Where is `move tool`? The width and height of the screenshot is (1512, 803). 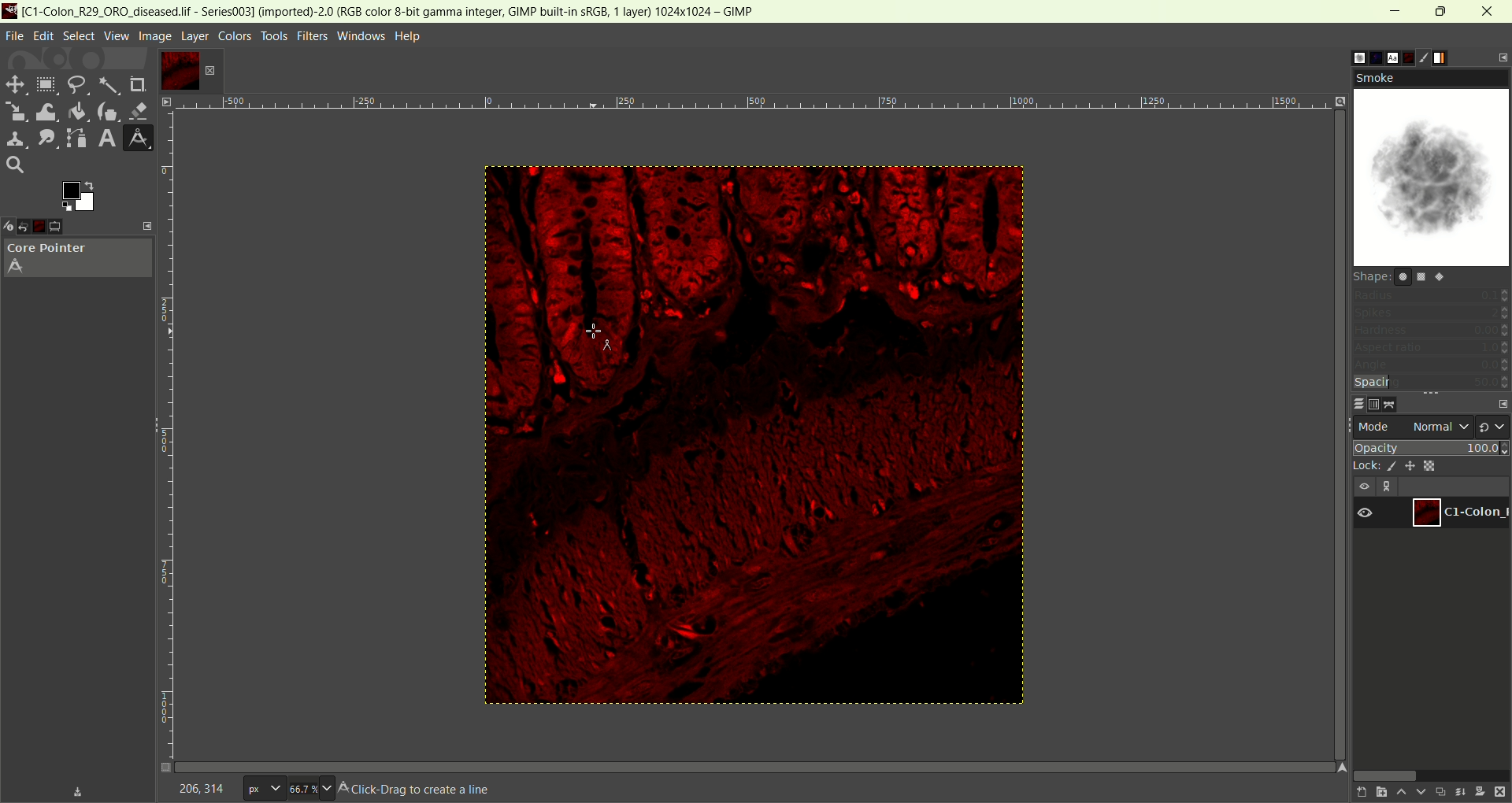
move tool is located at coordinates (13, 83).